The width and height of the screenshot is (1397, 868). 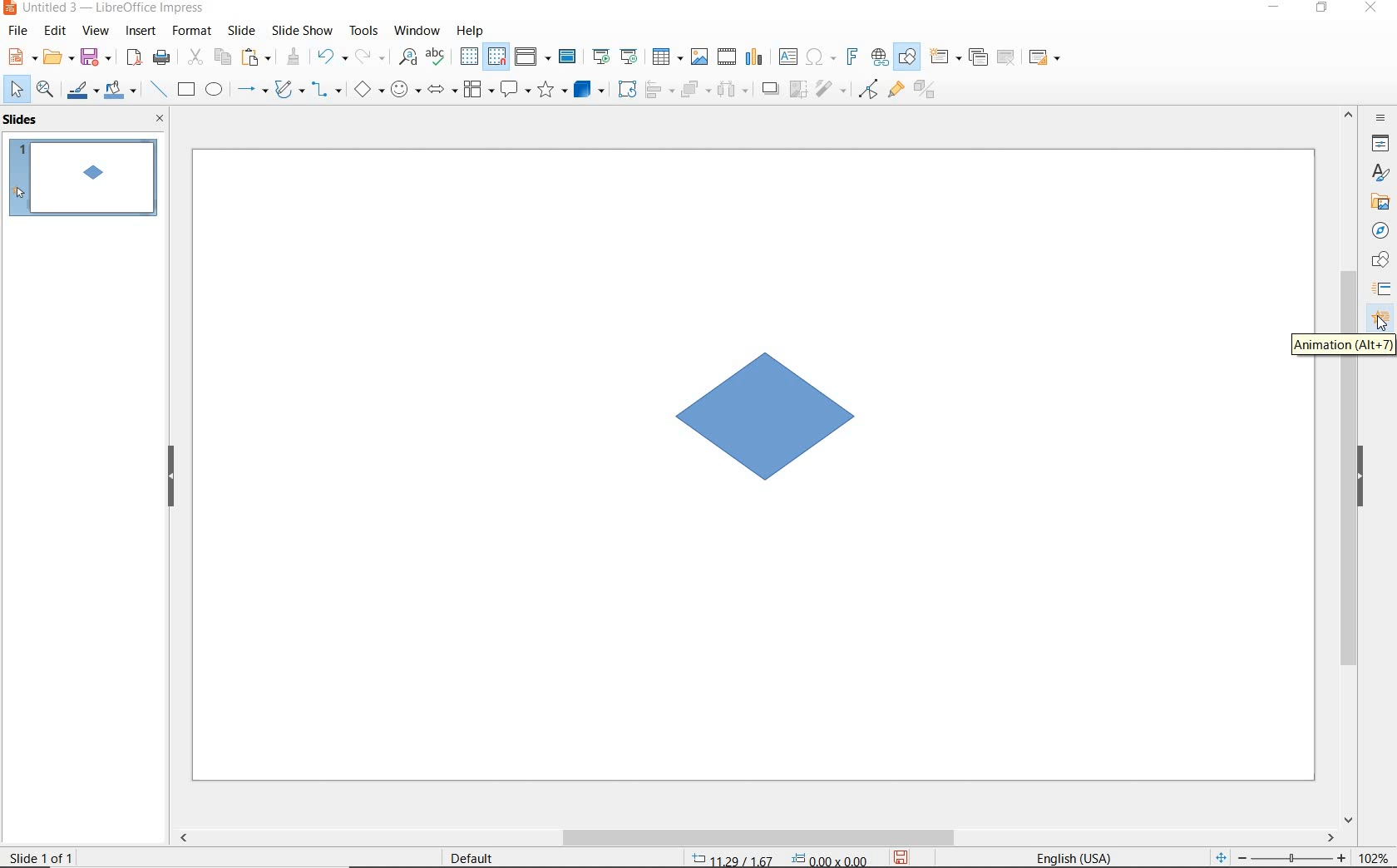 I want to click on animation, so click(x=1380, y=320).